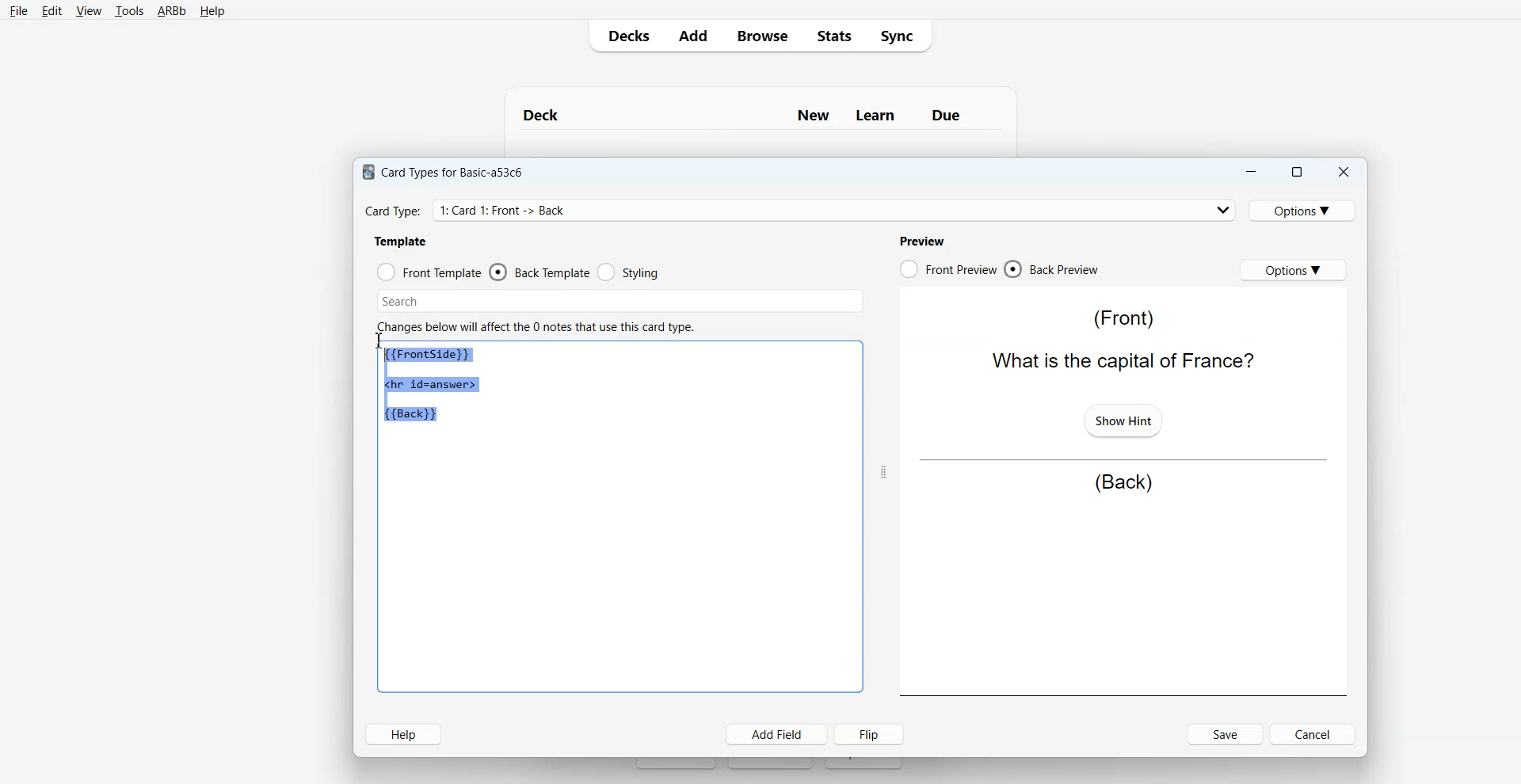  I want to click on File, so click(18, 10).